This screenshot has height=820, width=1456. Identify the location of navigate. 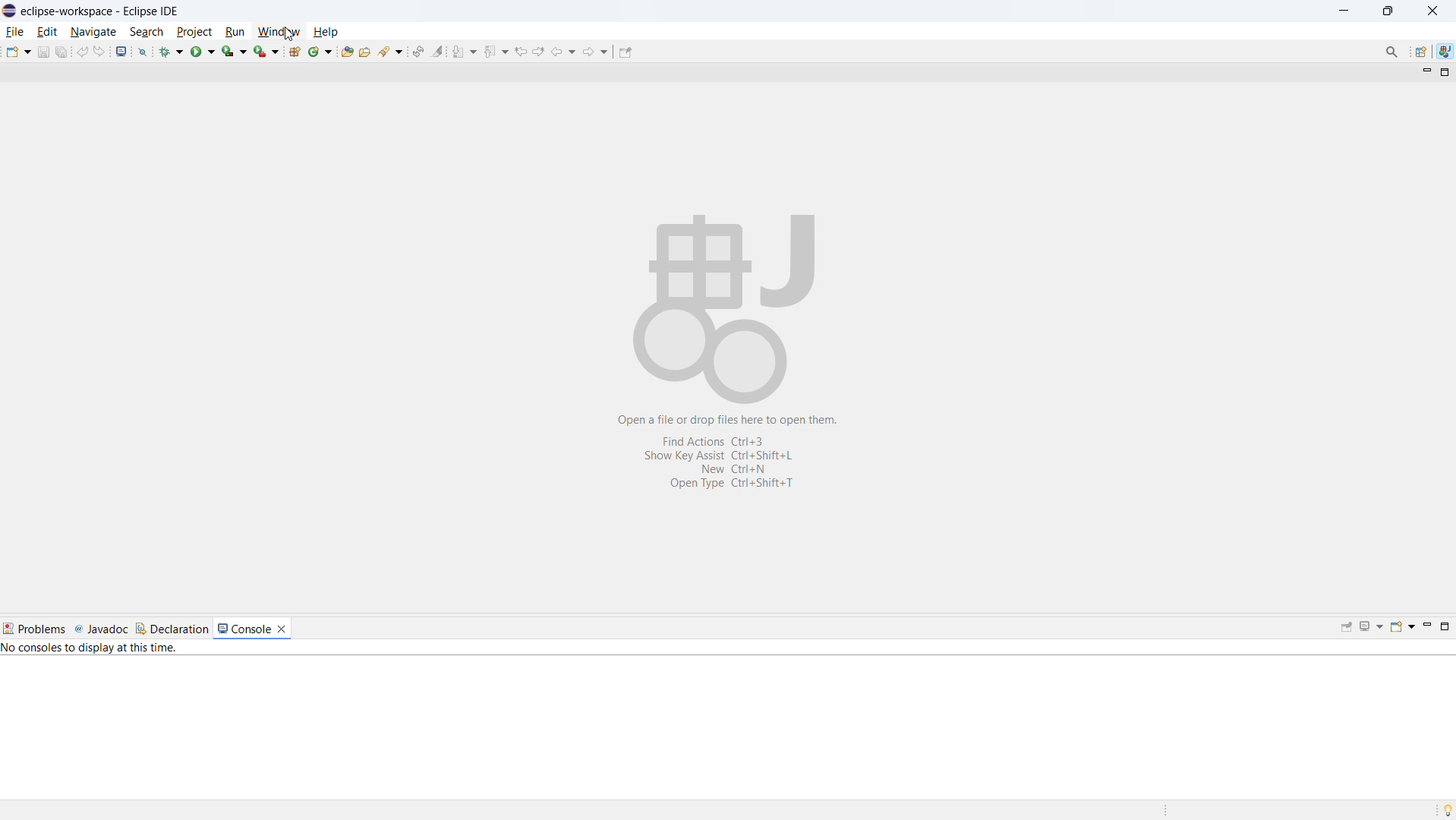
(93, 31).